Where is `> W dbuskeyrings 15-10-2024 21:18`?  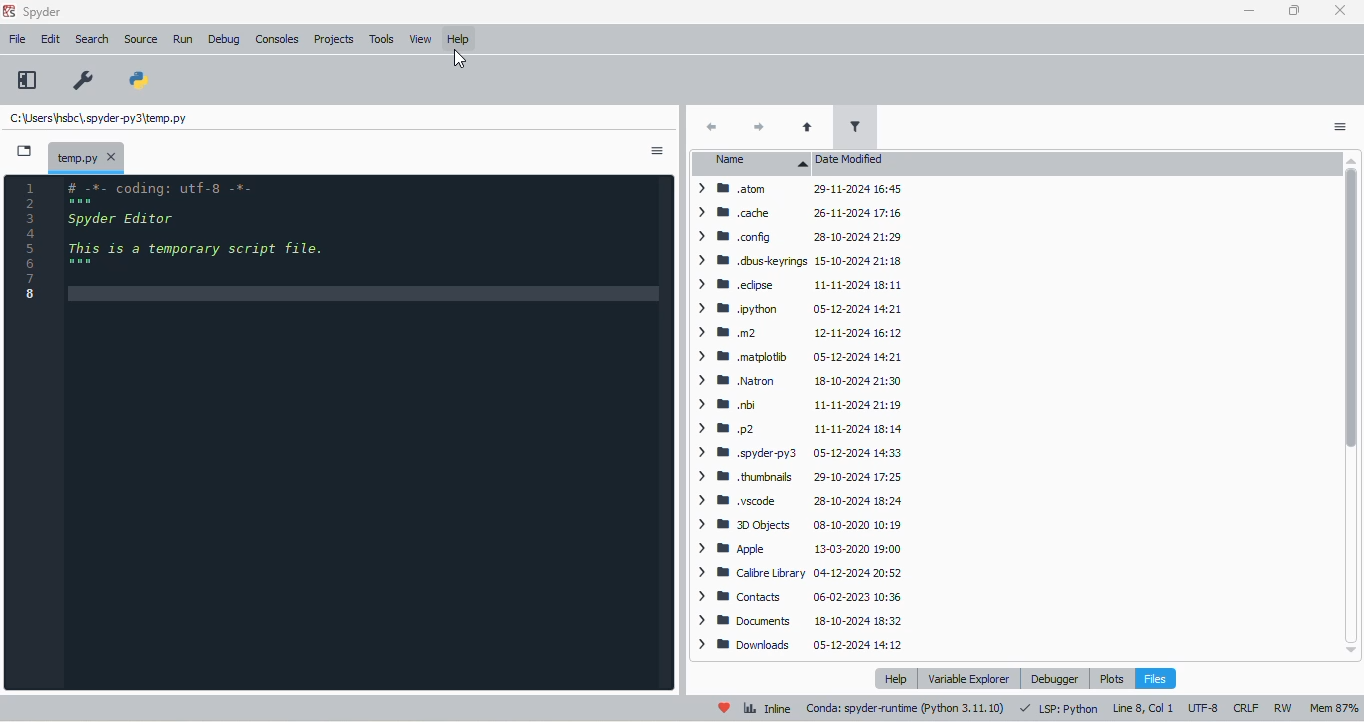
> W dbuskeyrings 15-10-2024 21:18 is located at coordinates (799, 261).